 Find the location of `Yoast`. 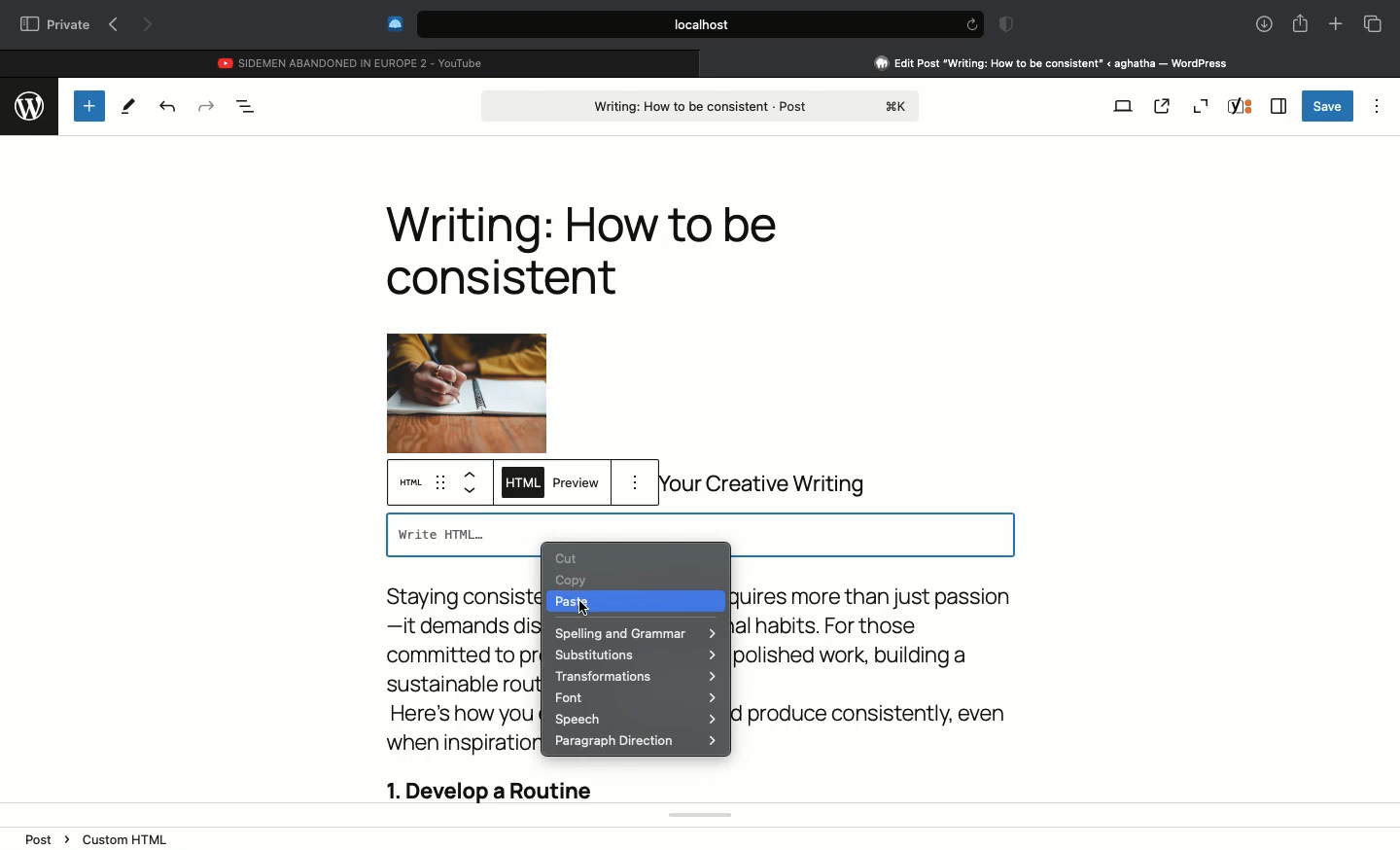

Yoast is located at coordinates (1241, 106).